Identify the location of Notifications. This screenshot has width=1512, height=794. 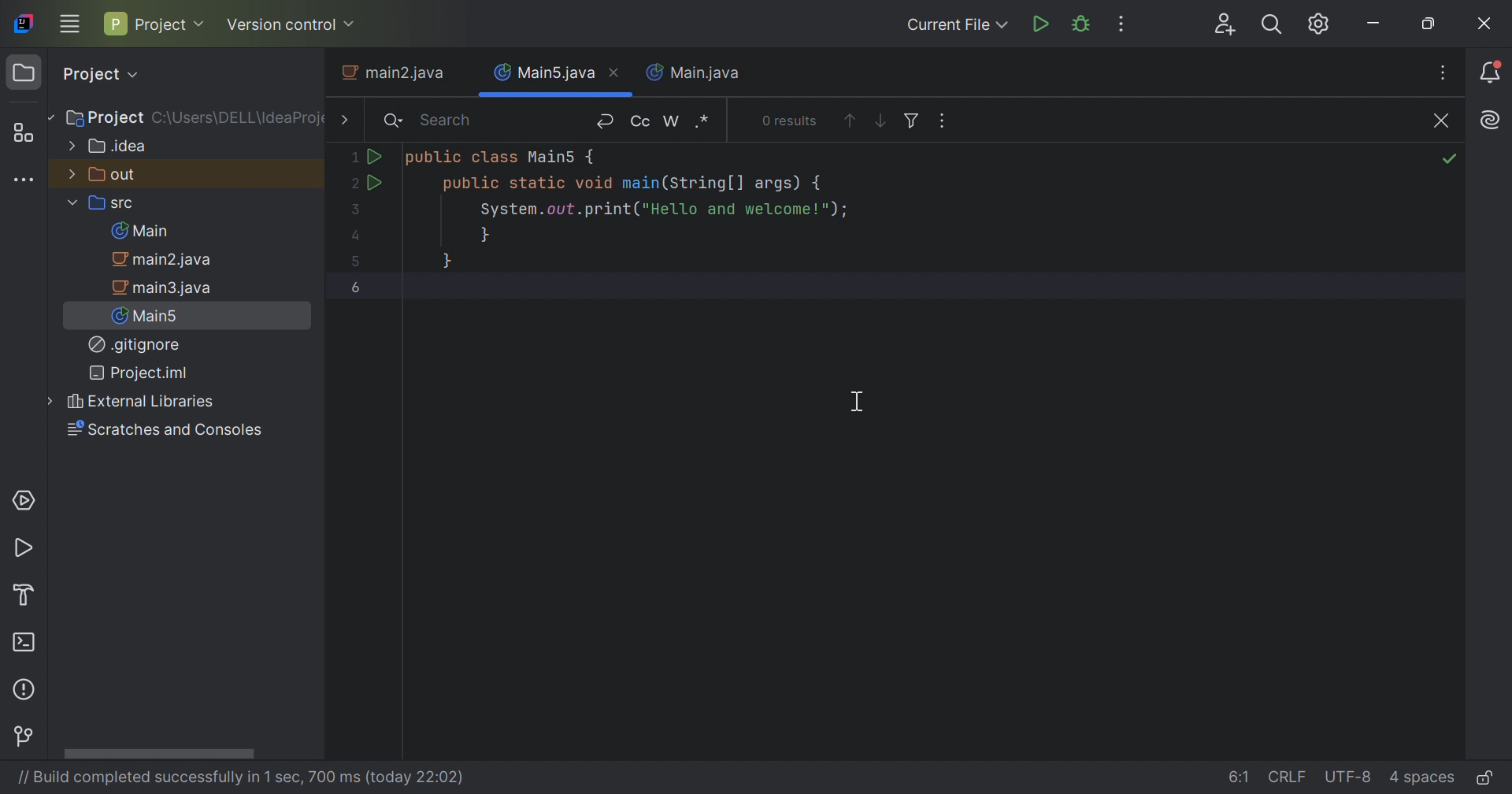
(1494, 74).